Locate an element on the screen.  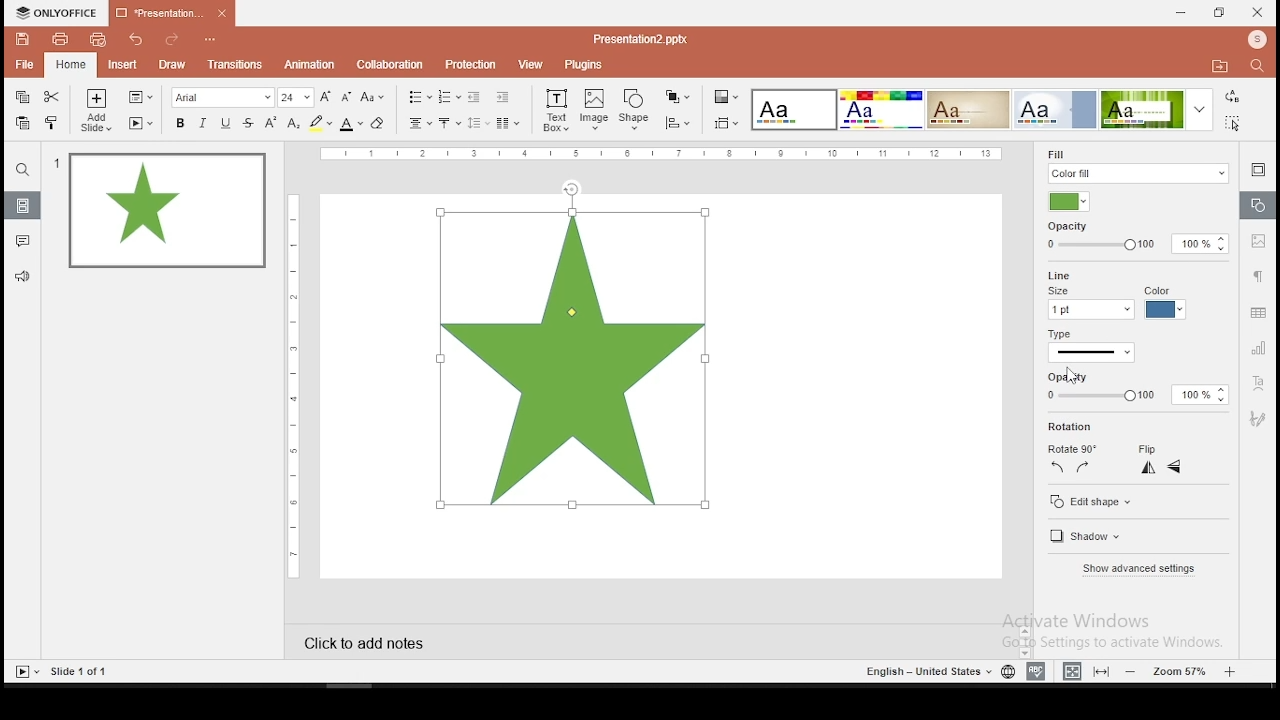
shape settings is located at coordinates (1256, 206).